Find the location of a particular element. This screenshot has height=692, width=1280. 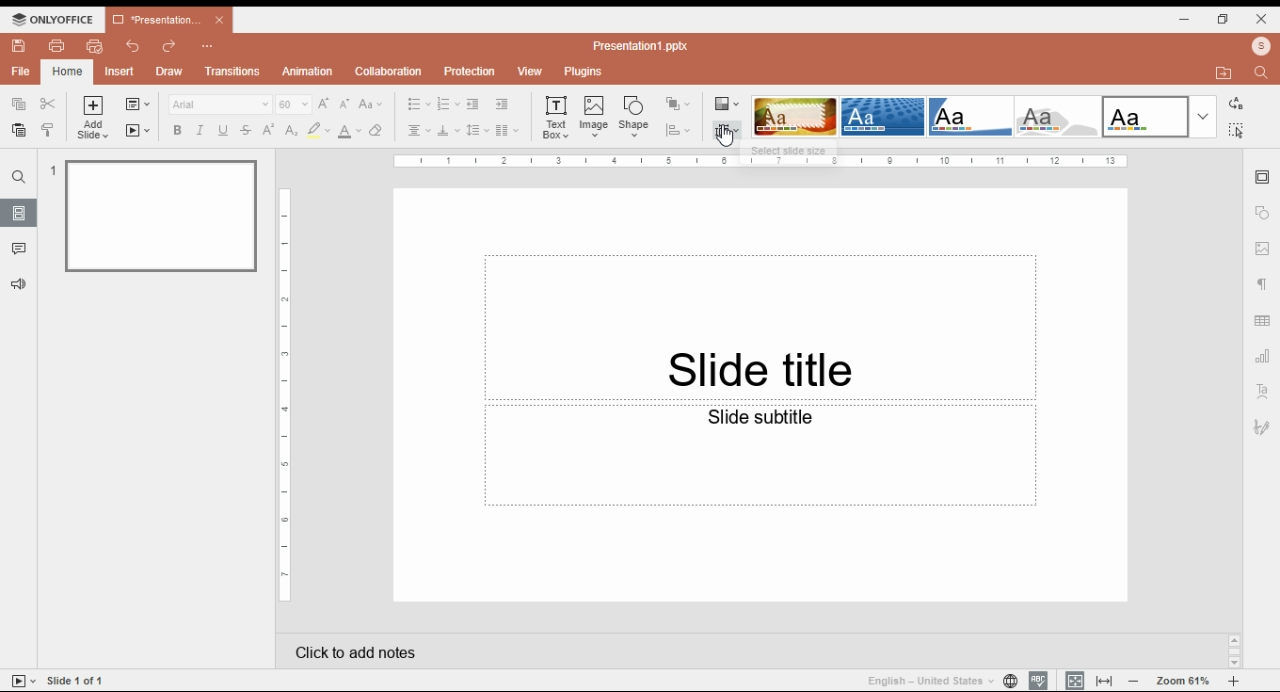

Slide 1 of 1 is located at coordinates (79, 680).